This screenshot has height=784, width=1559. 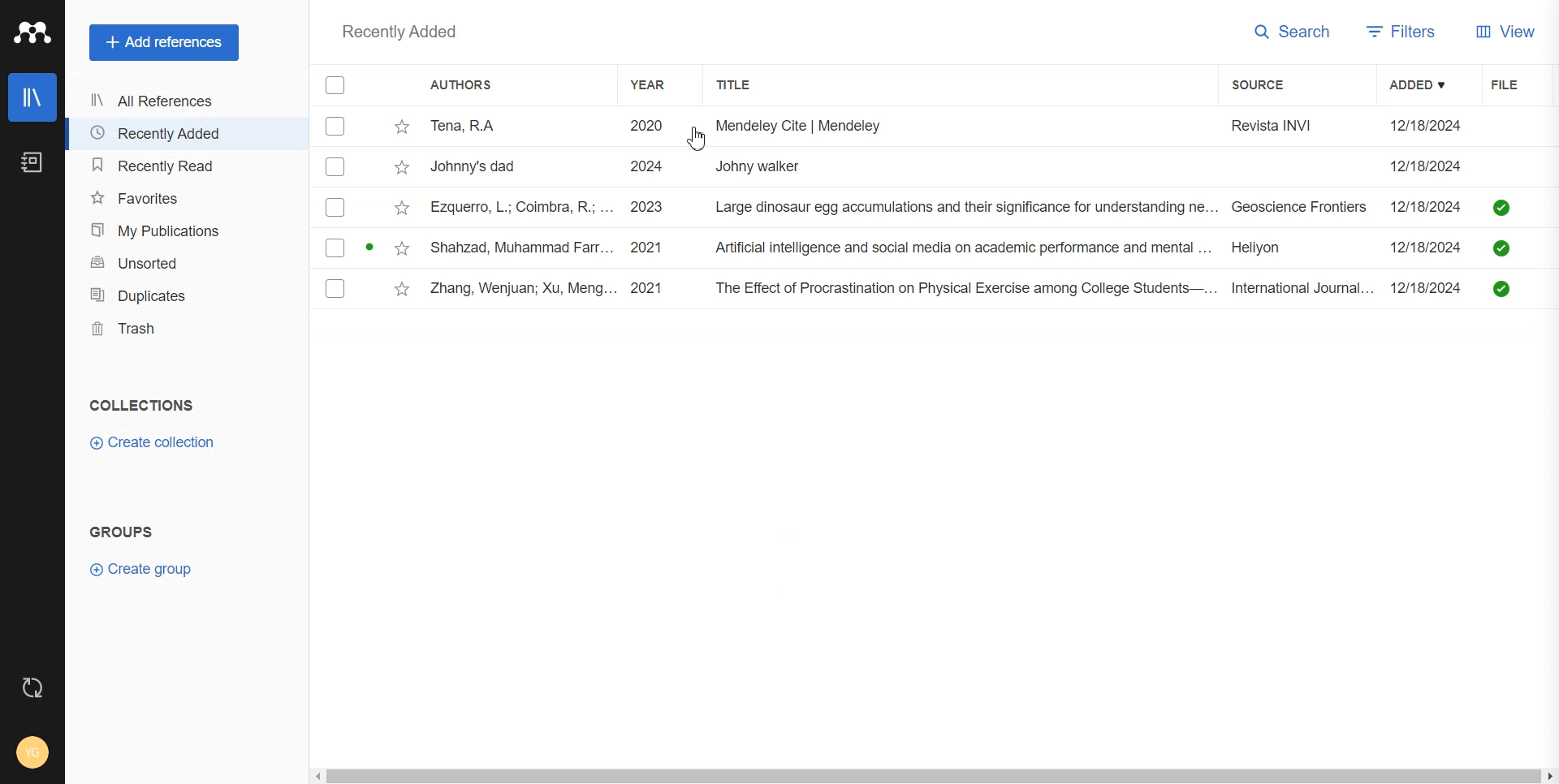 I want to click on Star, so click(x=401, y=247).